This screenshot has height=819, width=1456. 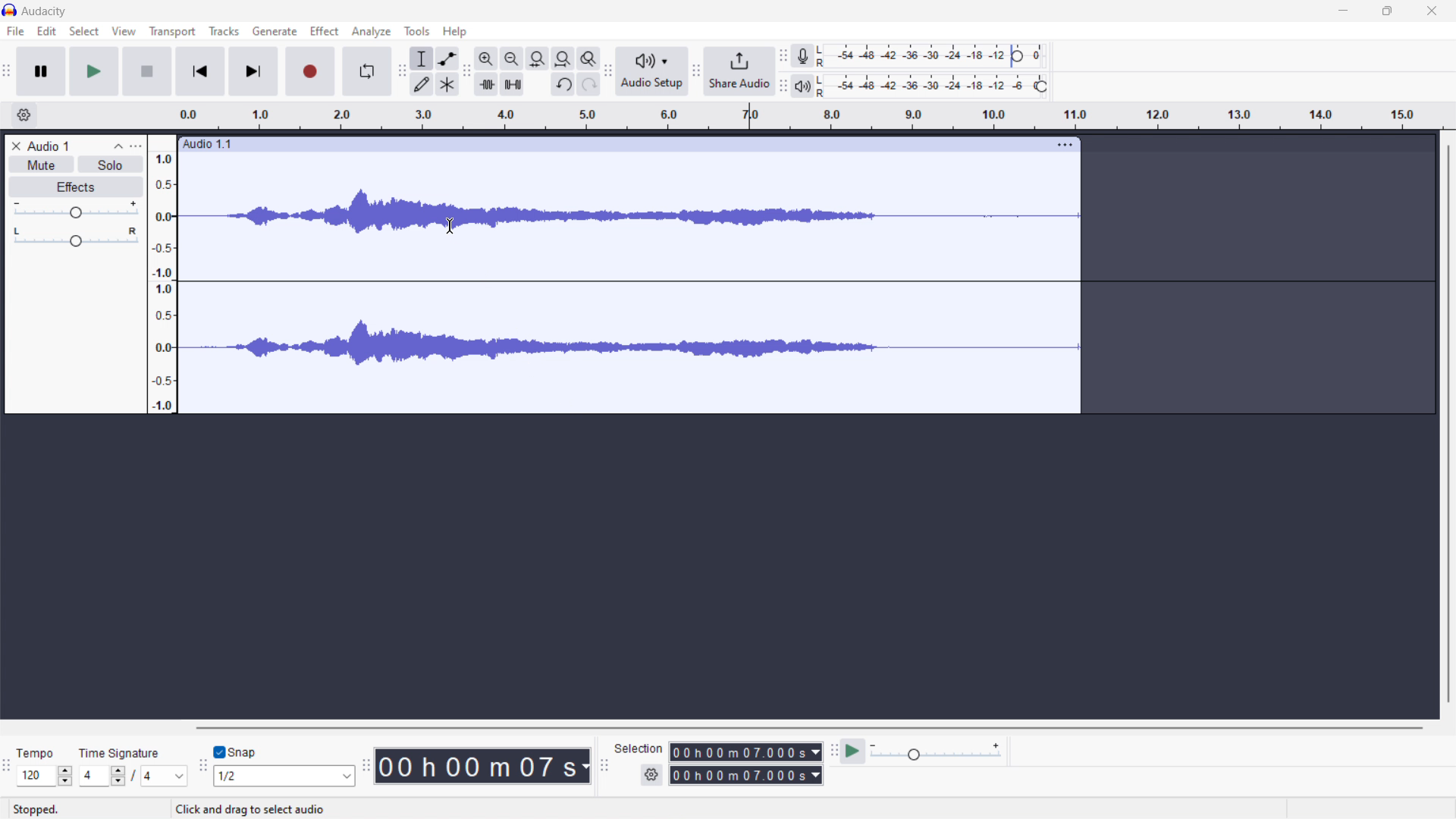 I want to click on audio setup toolbar, so click(x=608, y=71).